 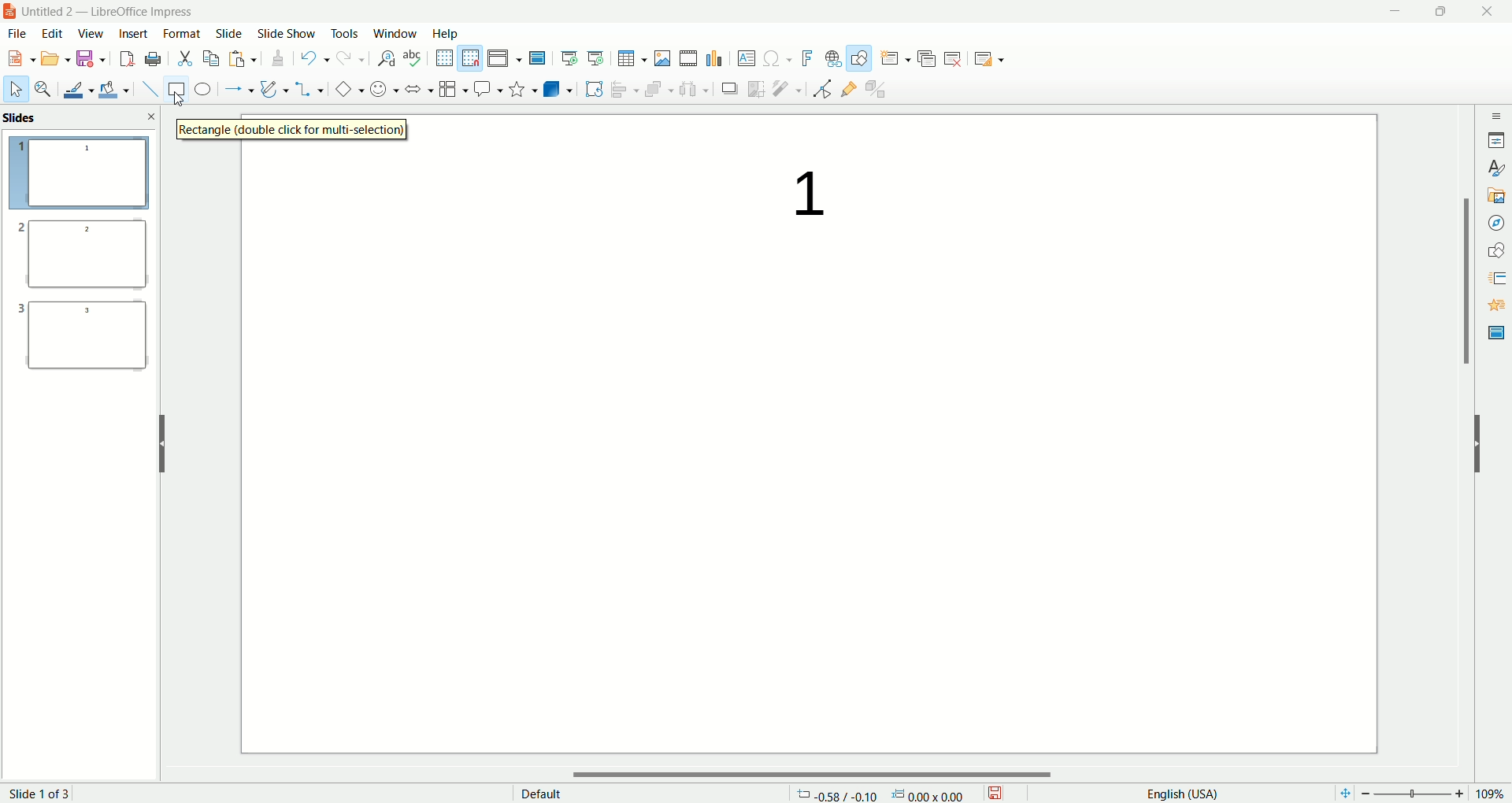 What do you see at coordinates (716, 59) in the screenshot?
I see `insert chart` at bounding box center [716, 59].